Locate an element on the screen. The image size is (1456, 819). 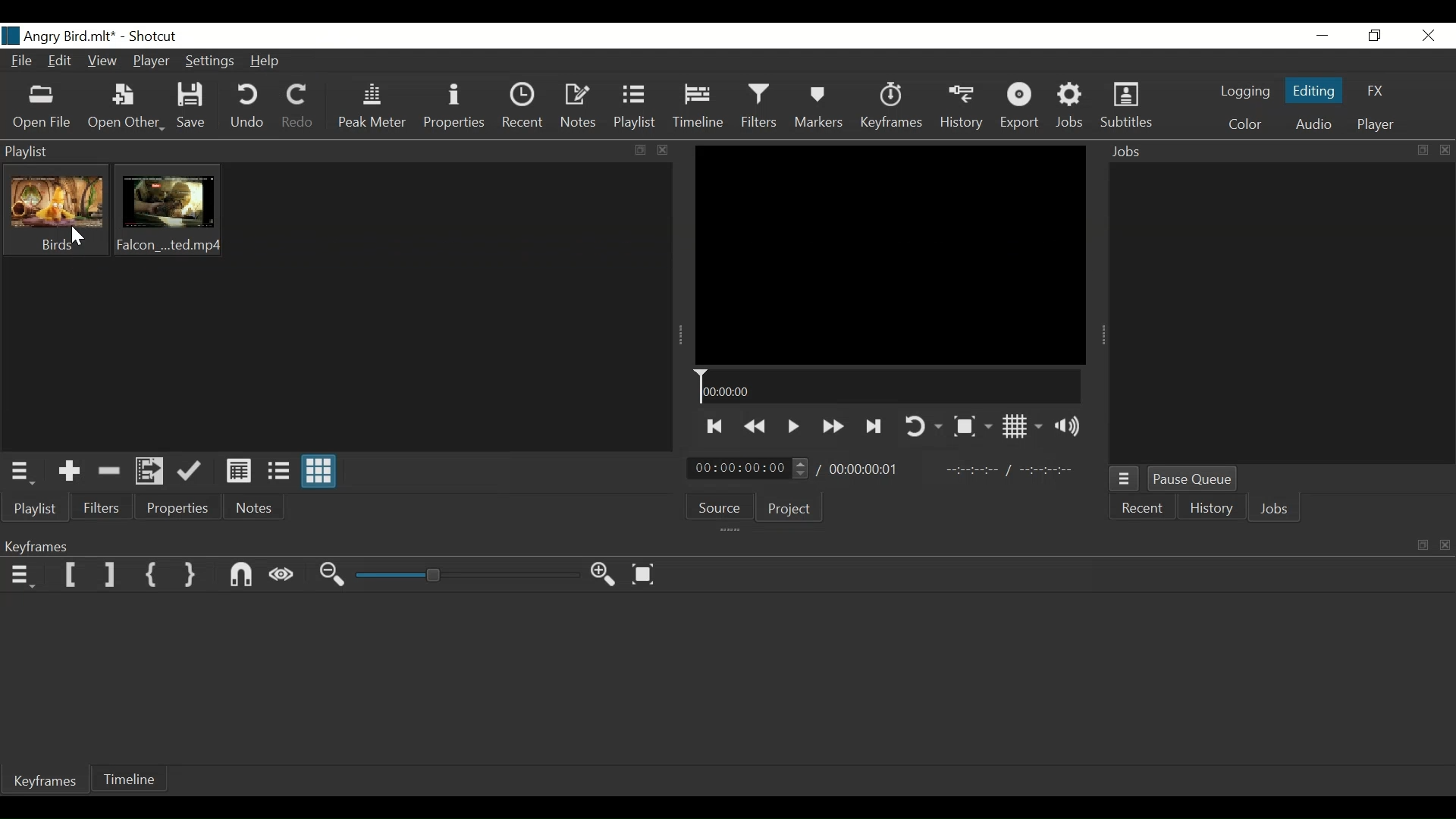
Playlist Panel is located at coordinates (338, 150).